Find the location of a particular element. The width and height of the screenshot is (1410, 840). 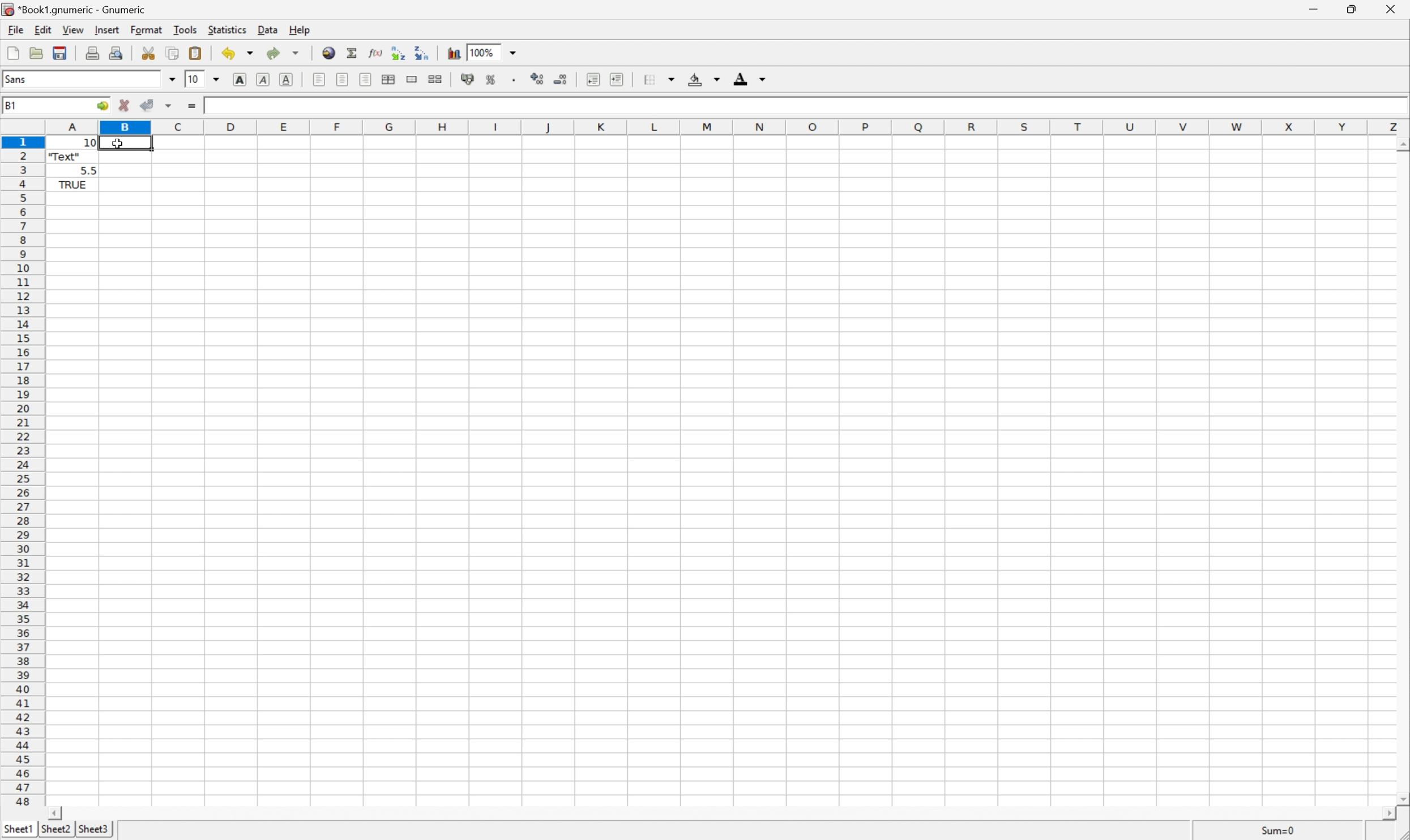

Print current file is located at coordinates (93, 53).